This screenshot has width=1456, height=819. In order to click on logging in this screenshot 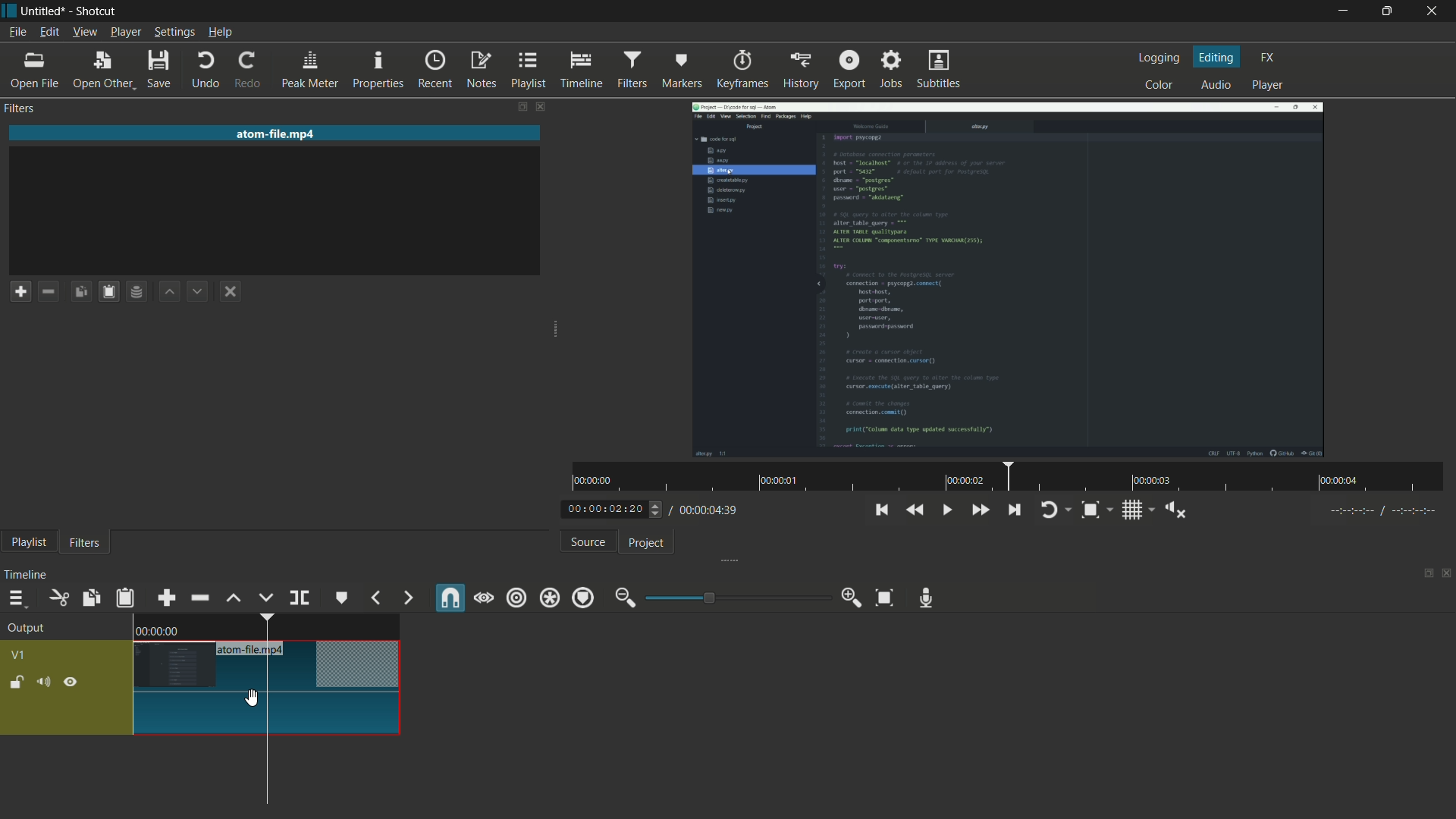, I will do `click(1159, 58)`.